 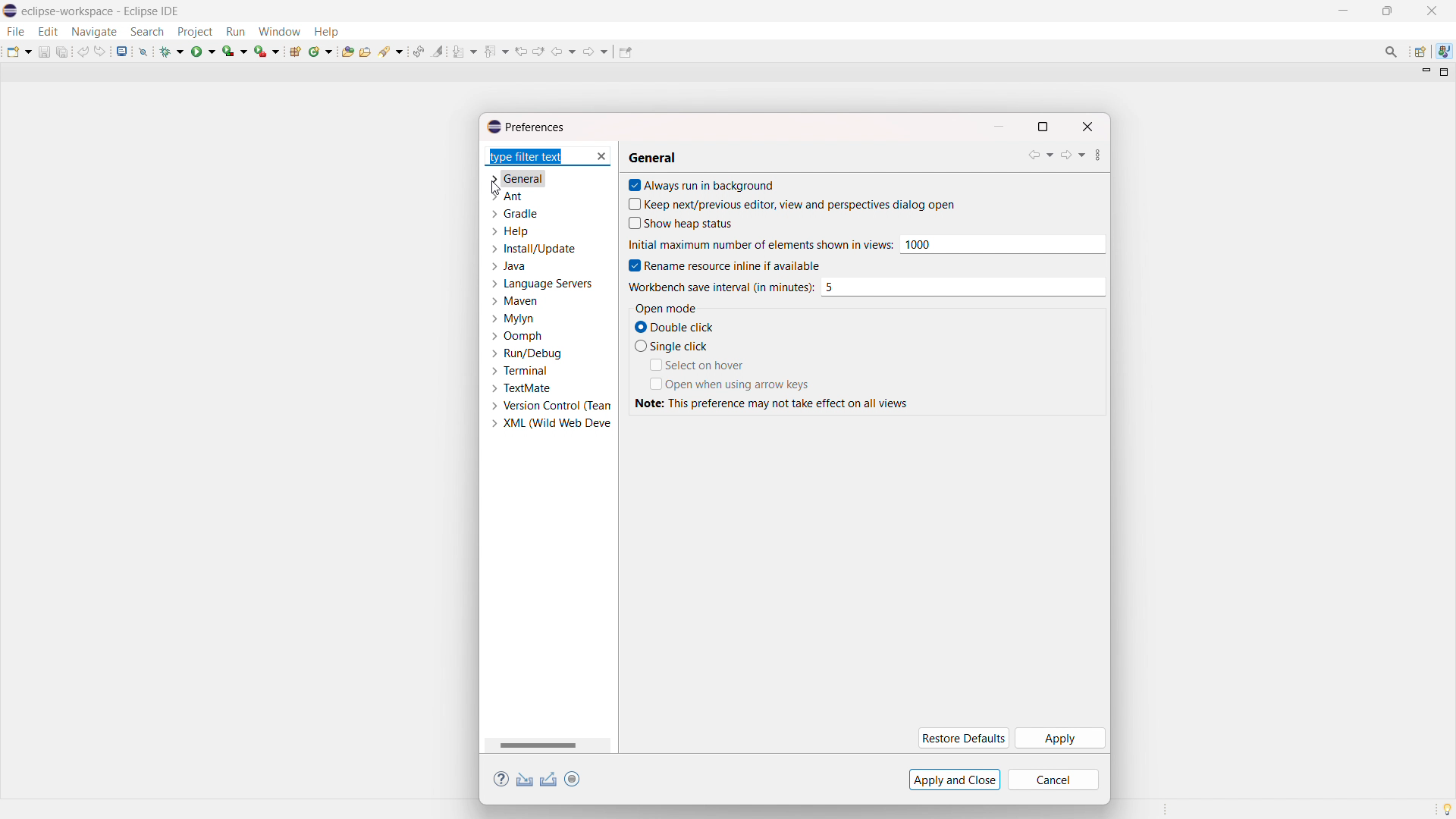 What do you see at coordinates (653, 383) in the screenshot?
I see `Checkbox` at bounding box center [653, 383].